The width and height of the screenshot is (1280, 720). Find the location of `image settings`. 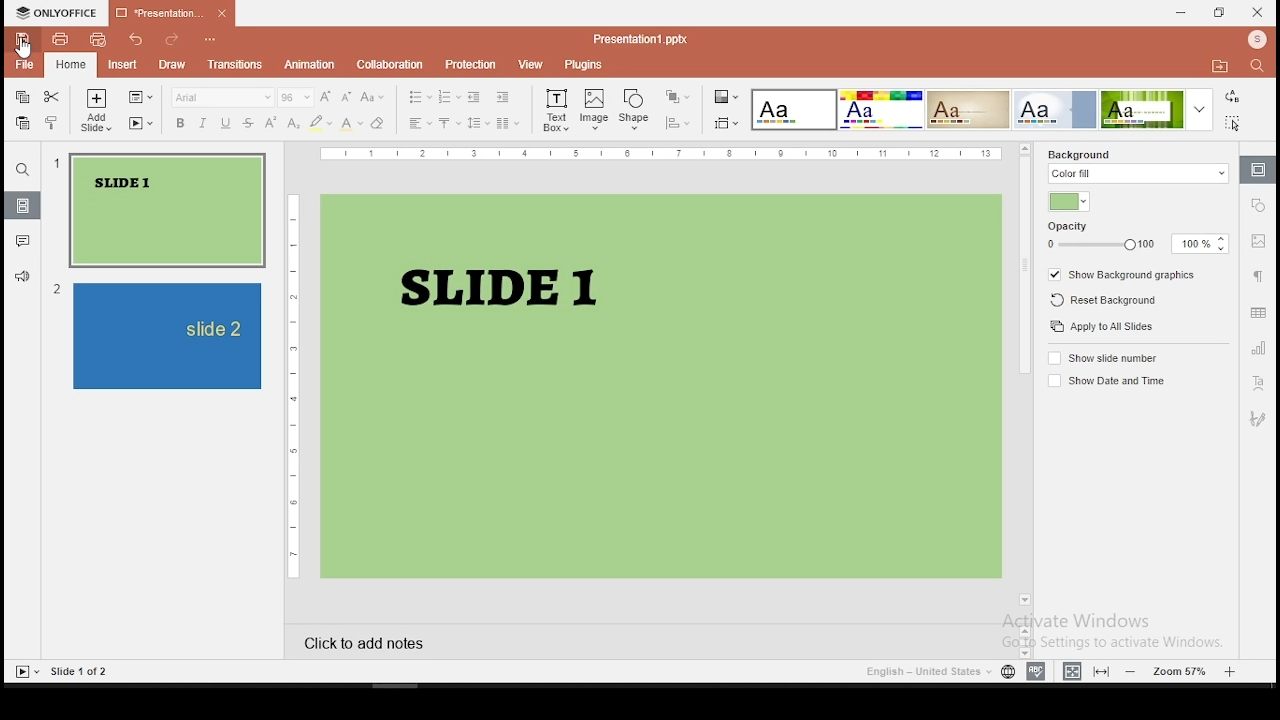

image settings is located at coordinates (1258, 243).